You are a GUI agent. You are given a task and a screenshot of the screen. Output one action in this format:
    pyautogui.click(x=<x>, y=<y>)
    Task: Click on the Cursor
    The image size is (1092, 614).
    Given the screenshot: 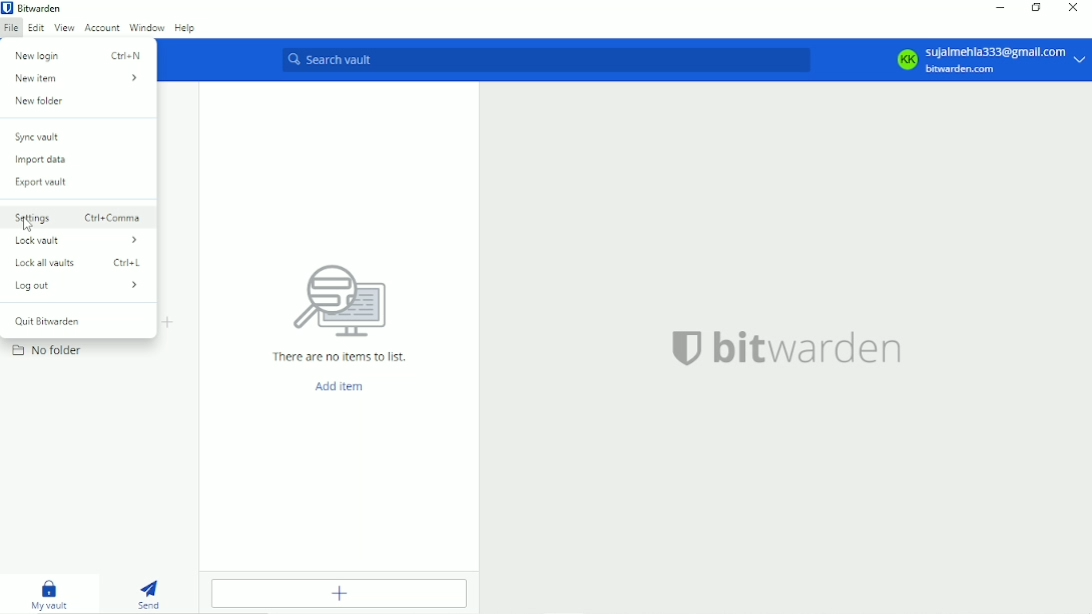 What is the action you would take?
    pyautogui.click(x=27, y=224)
    